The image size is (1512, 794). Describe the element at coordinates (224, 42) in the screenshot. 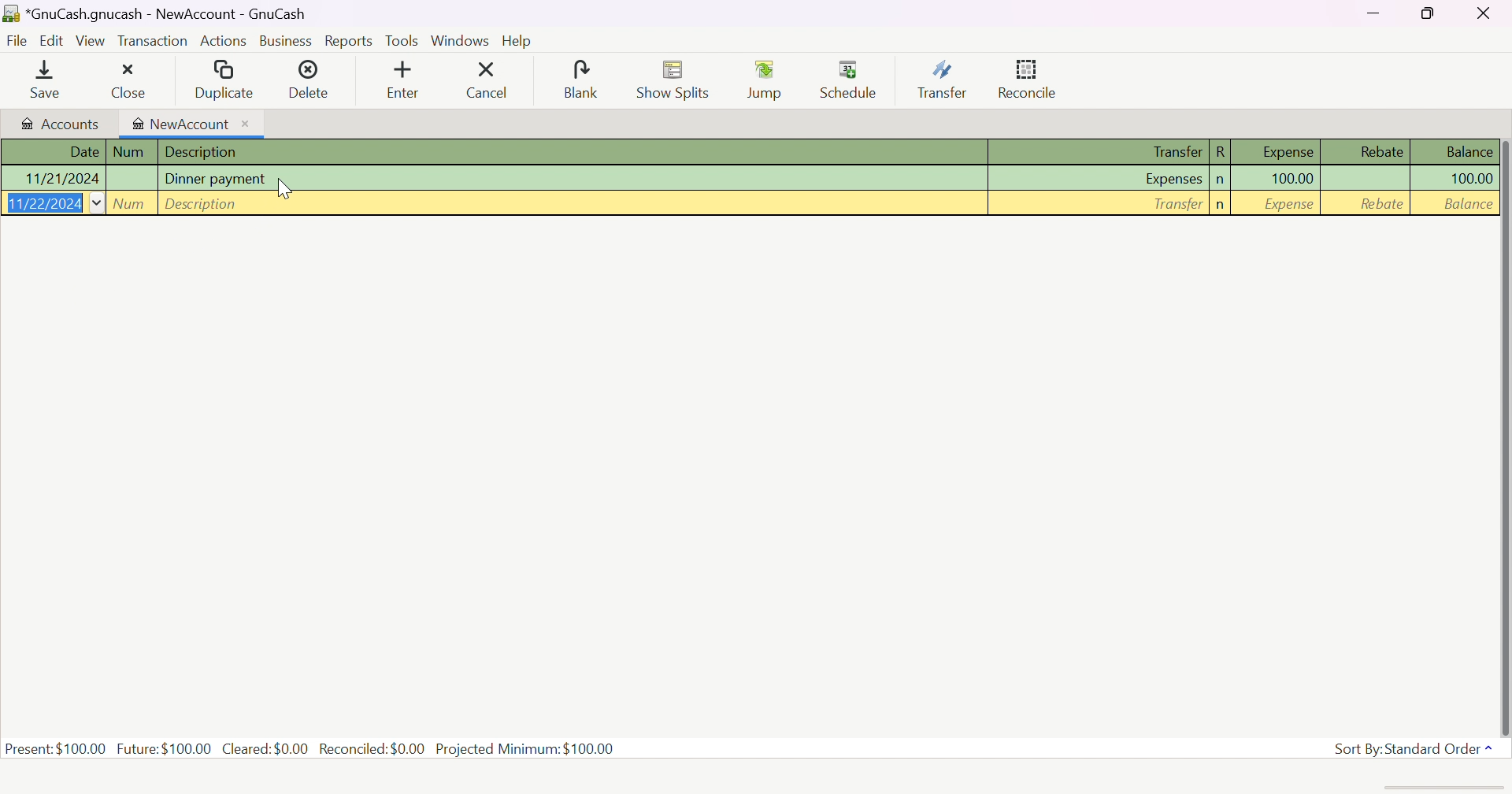

I see `Actions` at that location.